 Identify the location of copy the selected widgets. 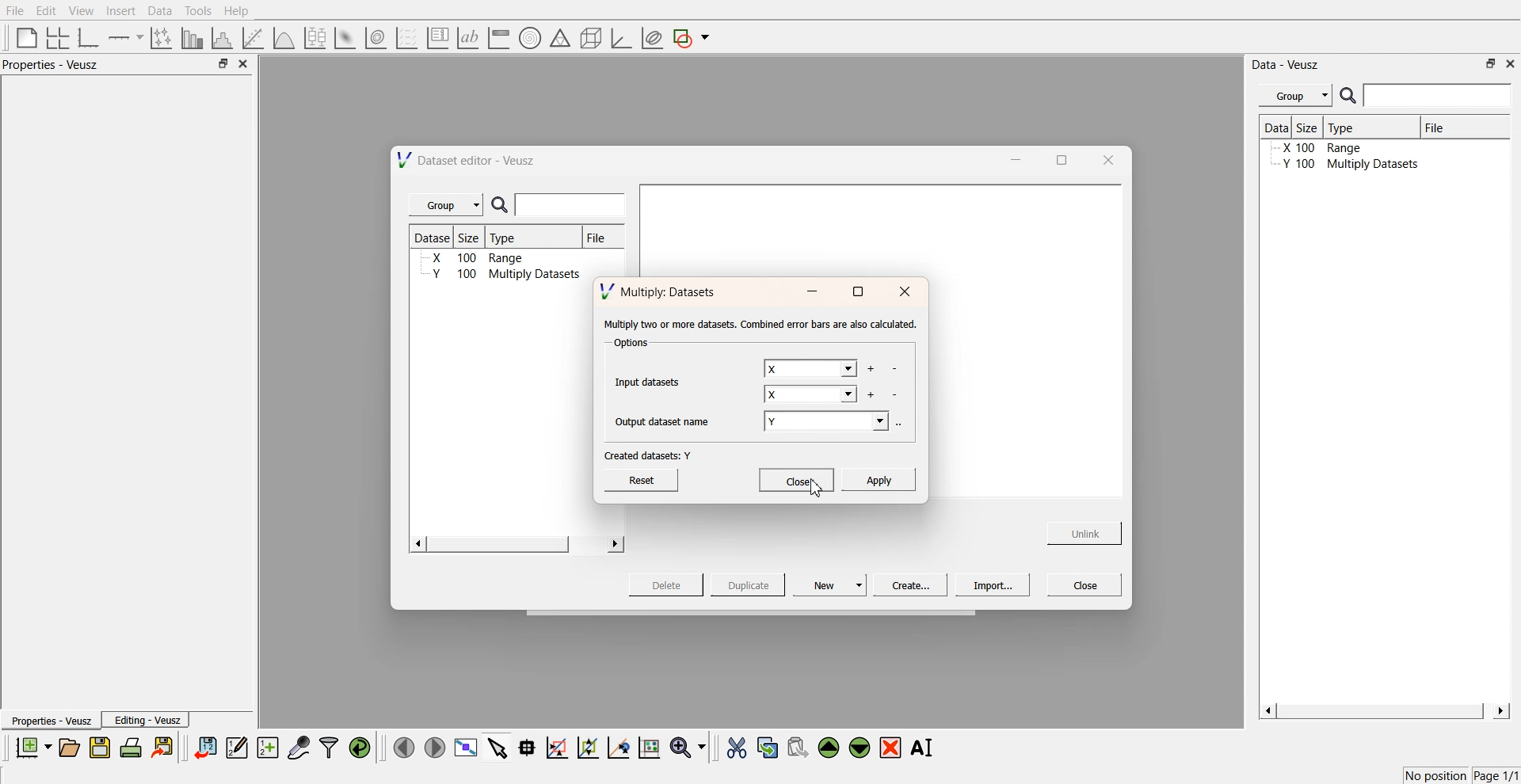
(768, 747).